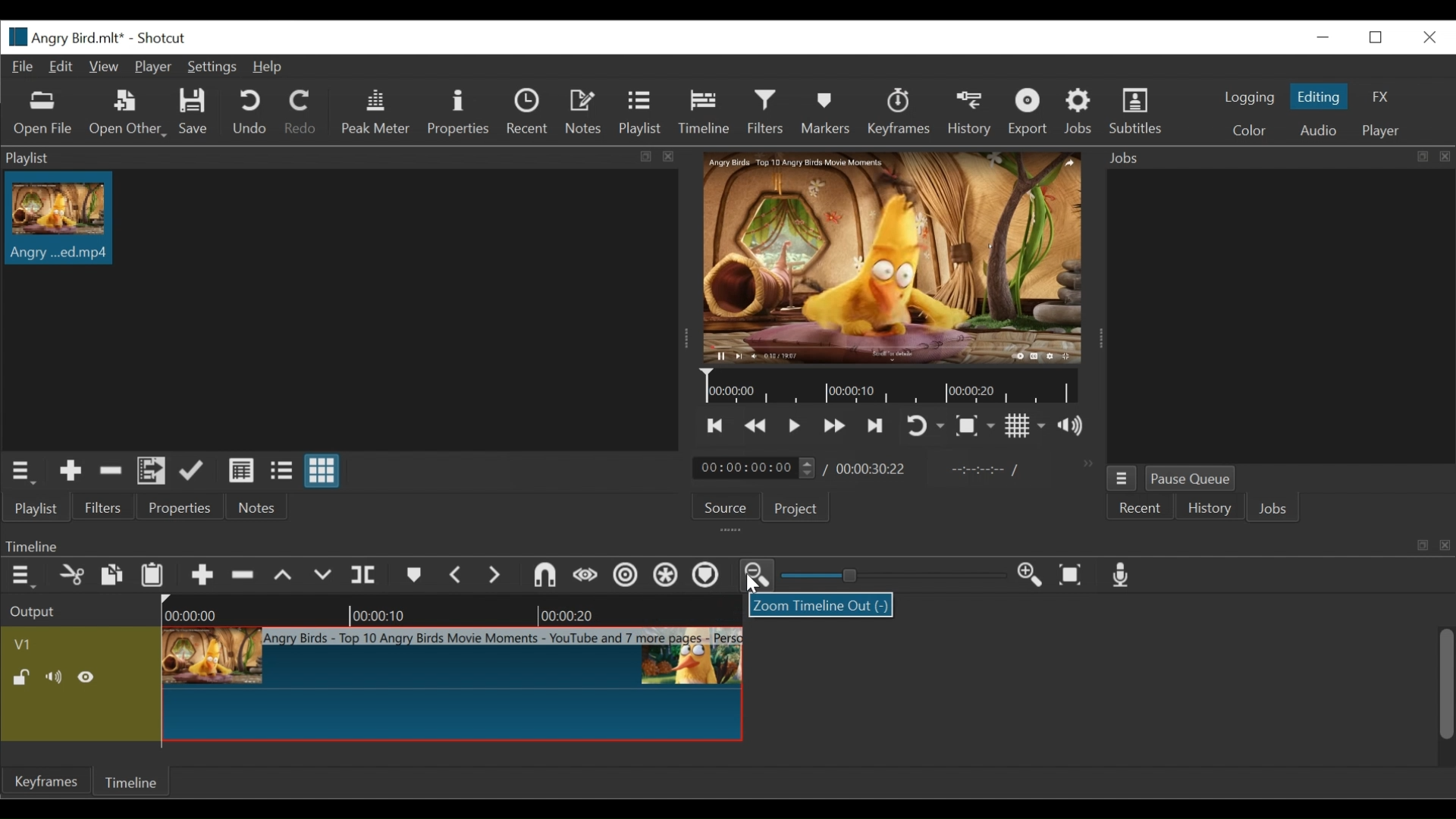 The height and width of the screenshot is (819, 1456). Describe the element at coordinates (21, 66) in the screenshot. I see `File` at that location.